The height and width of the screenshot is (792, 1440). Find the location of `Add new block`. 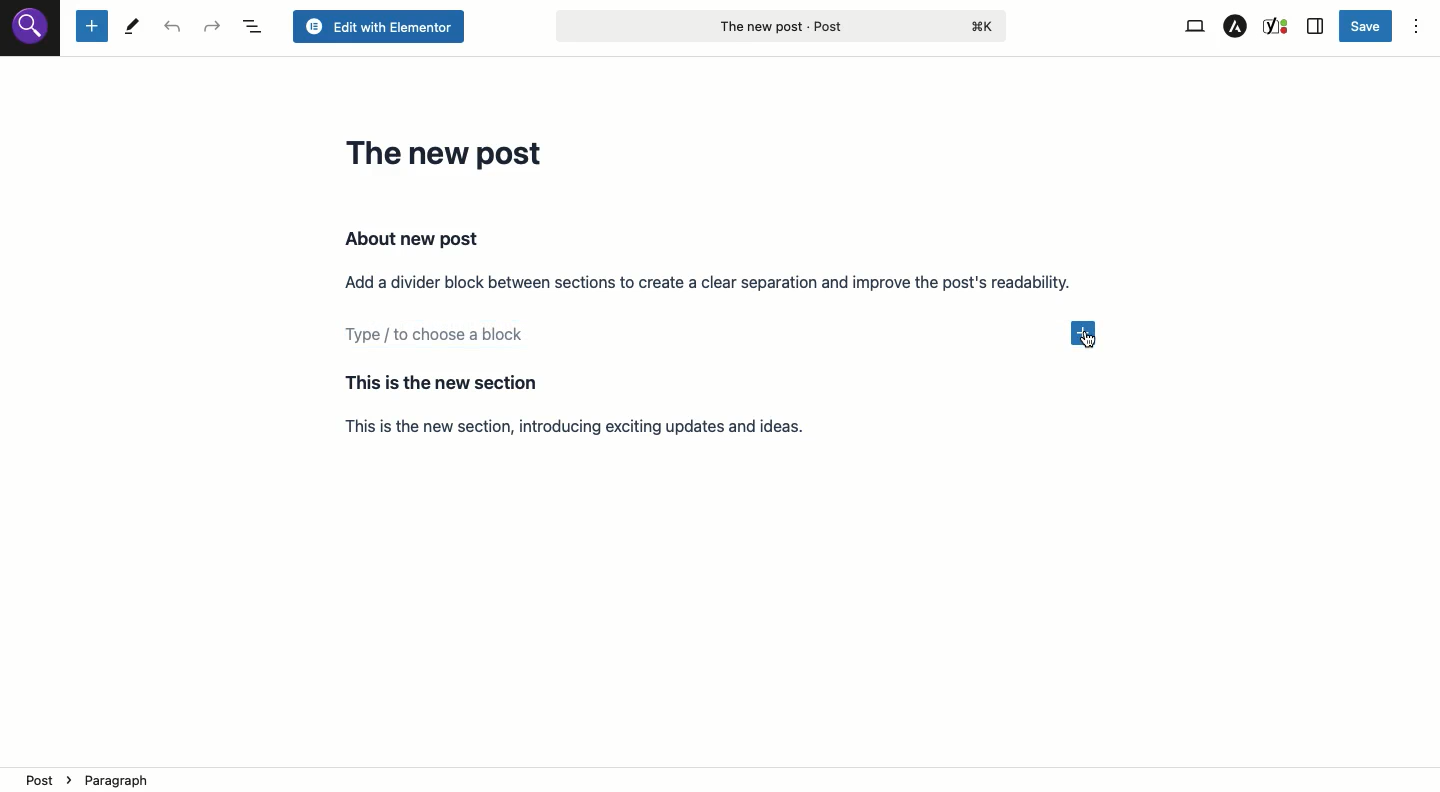

Add new block is located at coordinates (1089, 331).